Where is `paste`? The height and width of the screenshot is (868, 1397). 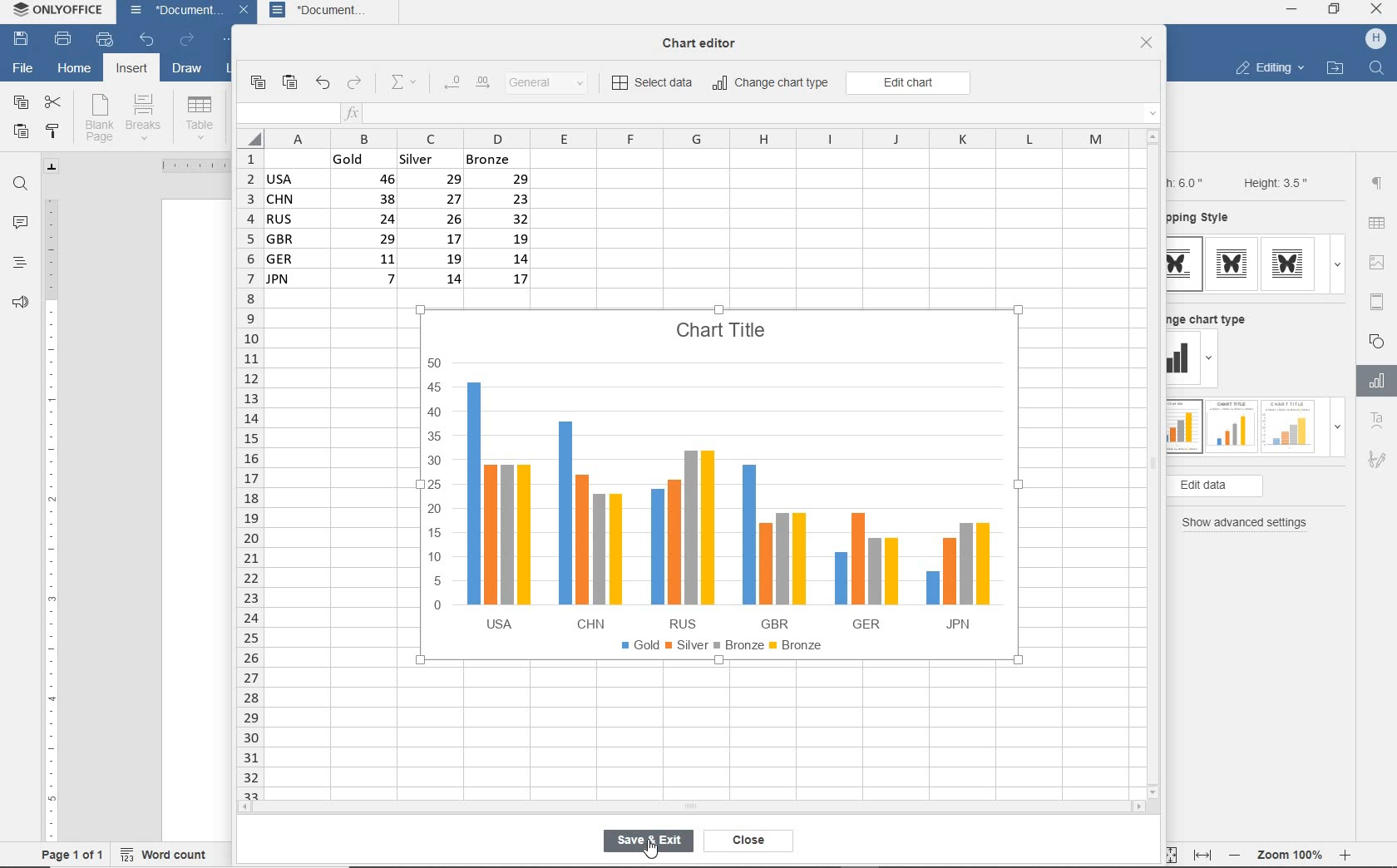 paste is located at coordinates (291, 83).